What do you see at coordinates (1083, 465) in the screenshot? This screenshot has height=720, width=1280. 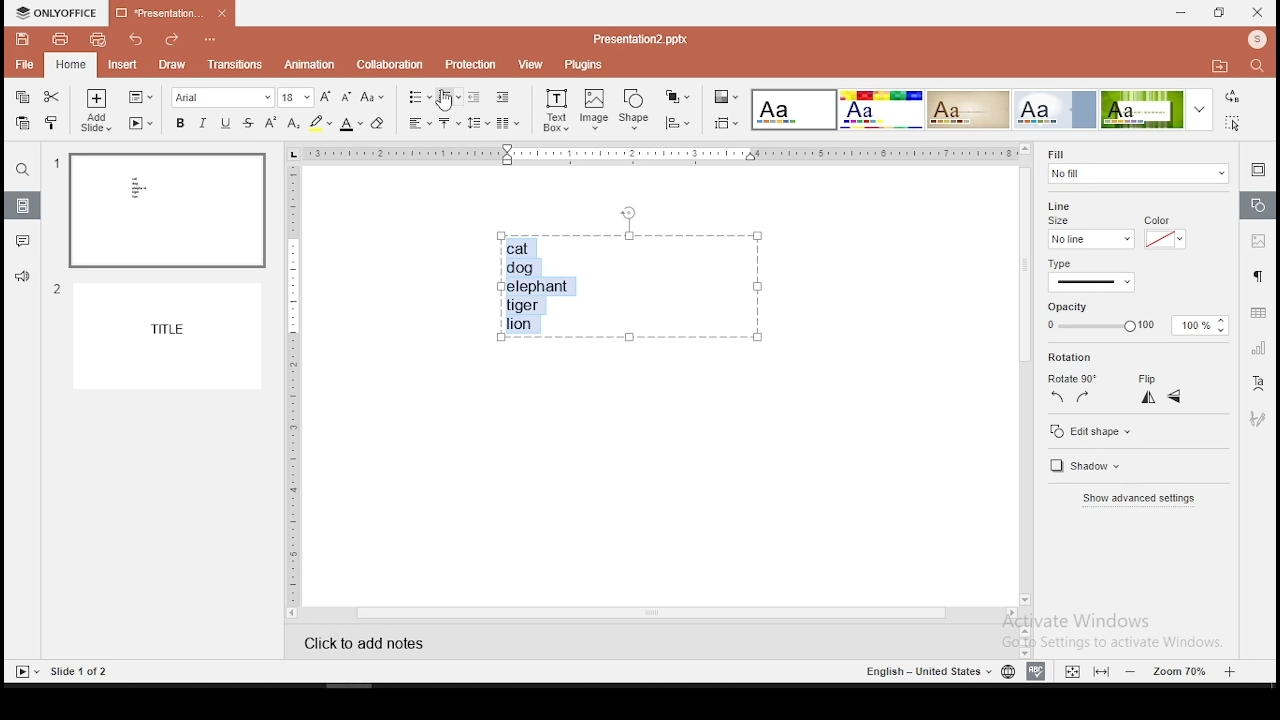 I see `shadow` at bounding box center [1083, 465].